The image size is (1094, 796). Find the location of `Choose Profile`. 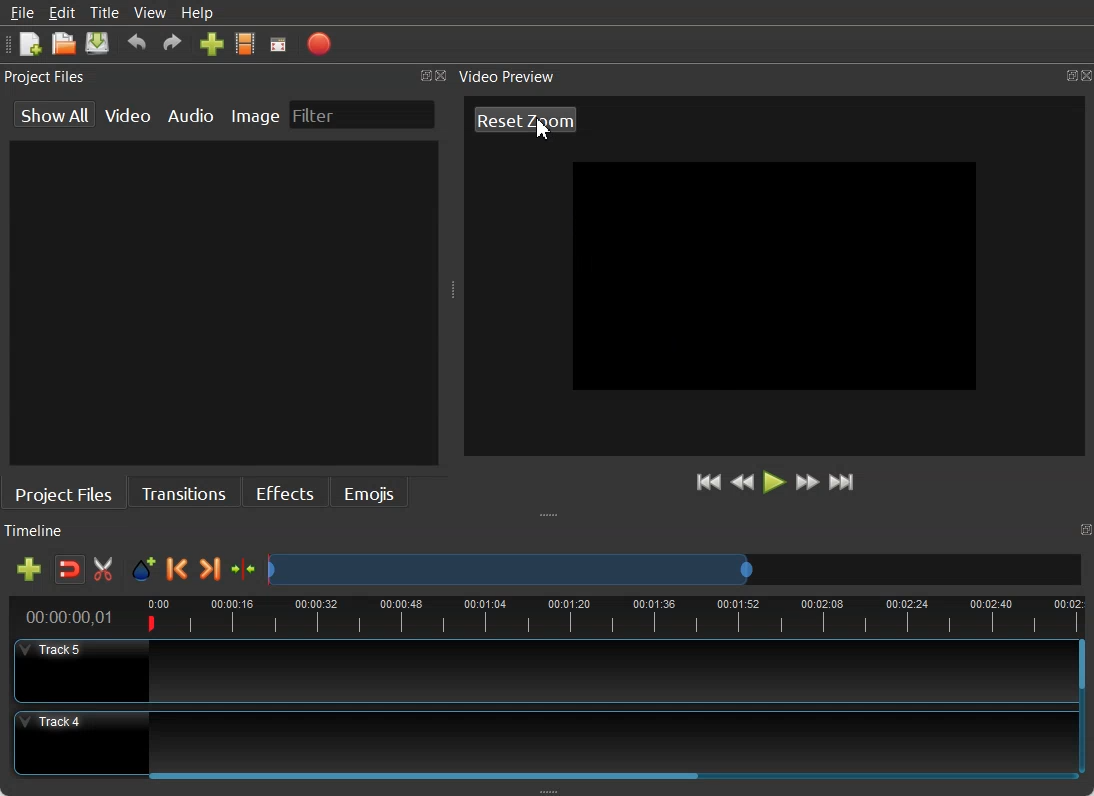

Choose Profile is located at coordinates (246, 43).